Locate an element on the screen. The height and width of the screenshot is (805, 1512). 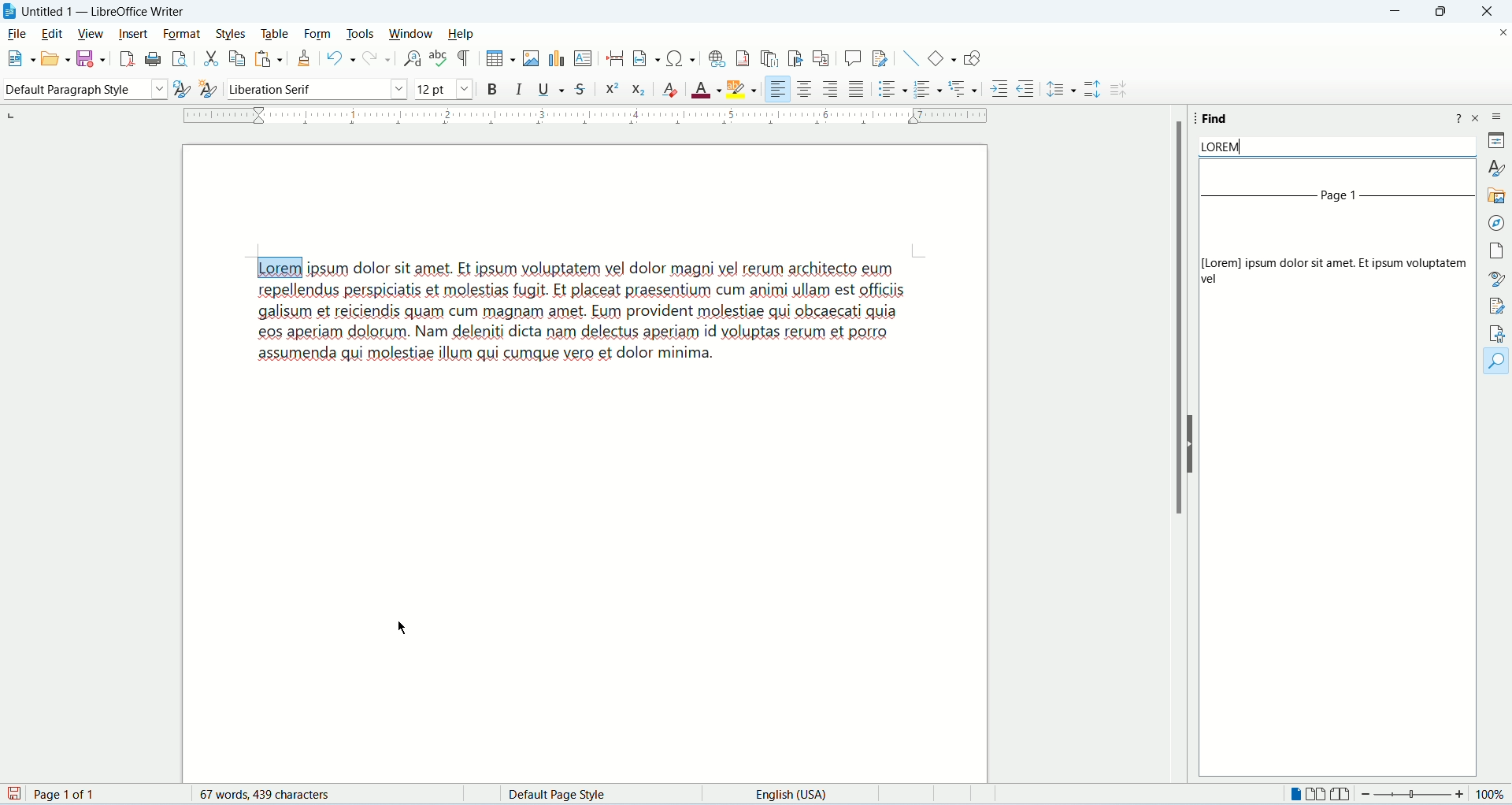
set line spacing is located at coordinates (1062, 88).